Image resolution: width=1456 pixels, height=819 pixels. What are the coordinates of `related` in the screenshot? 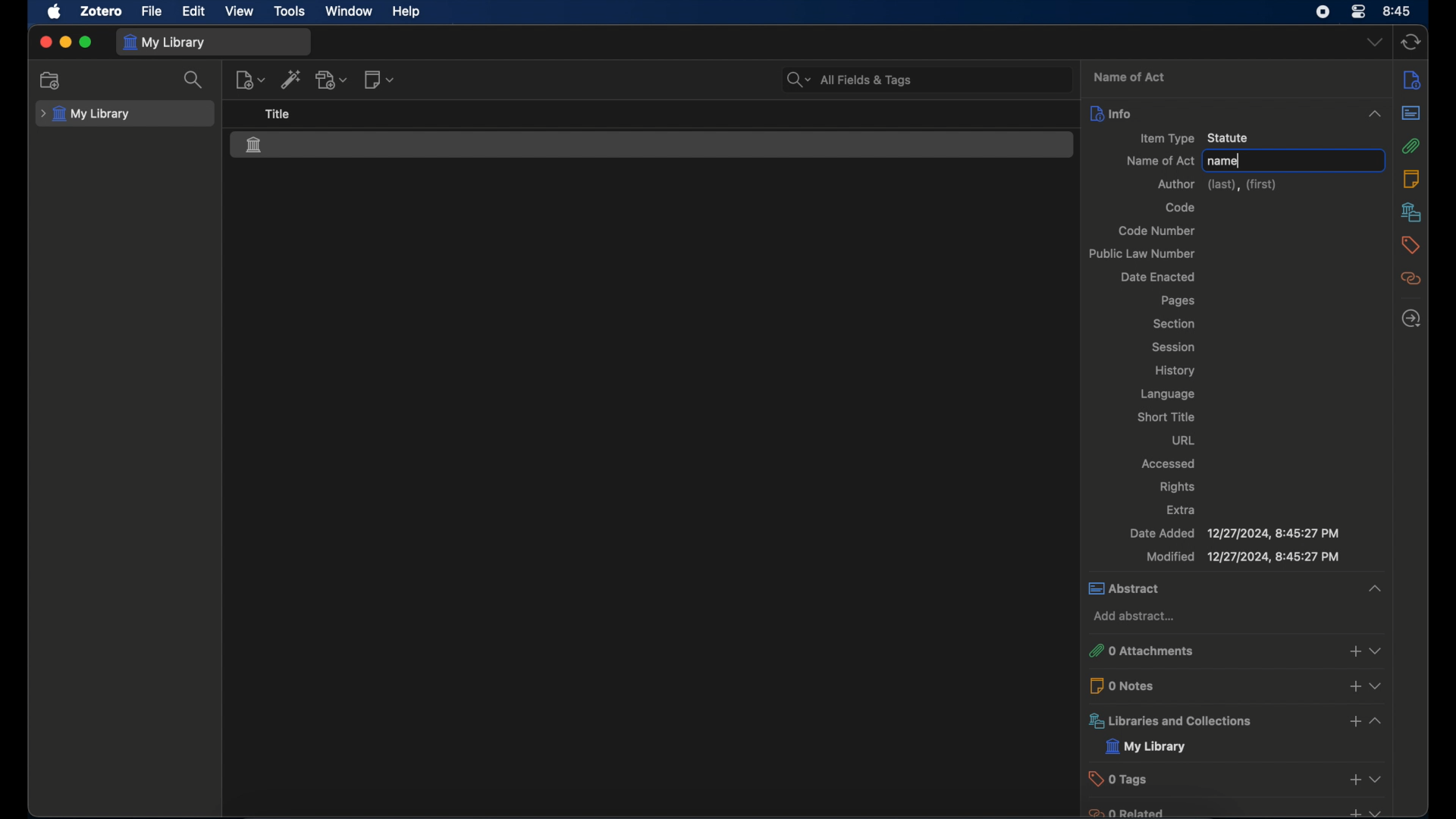 It's located at (1410, 279).